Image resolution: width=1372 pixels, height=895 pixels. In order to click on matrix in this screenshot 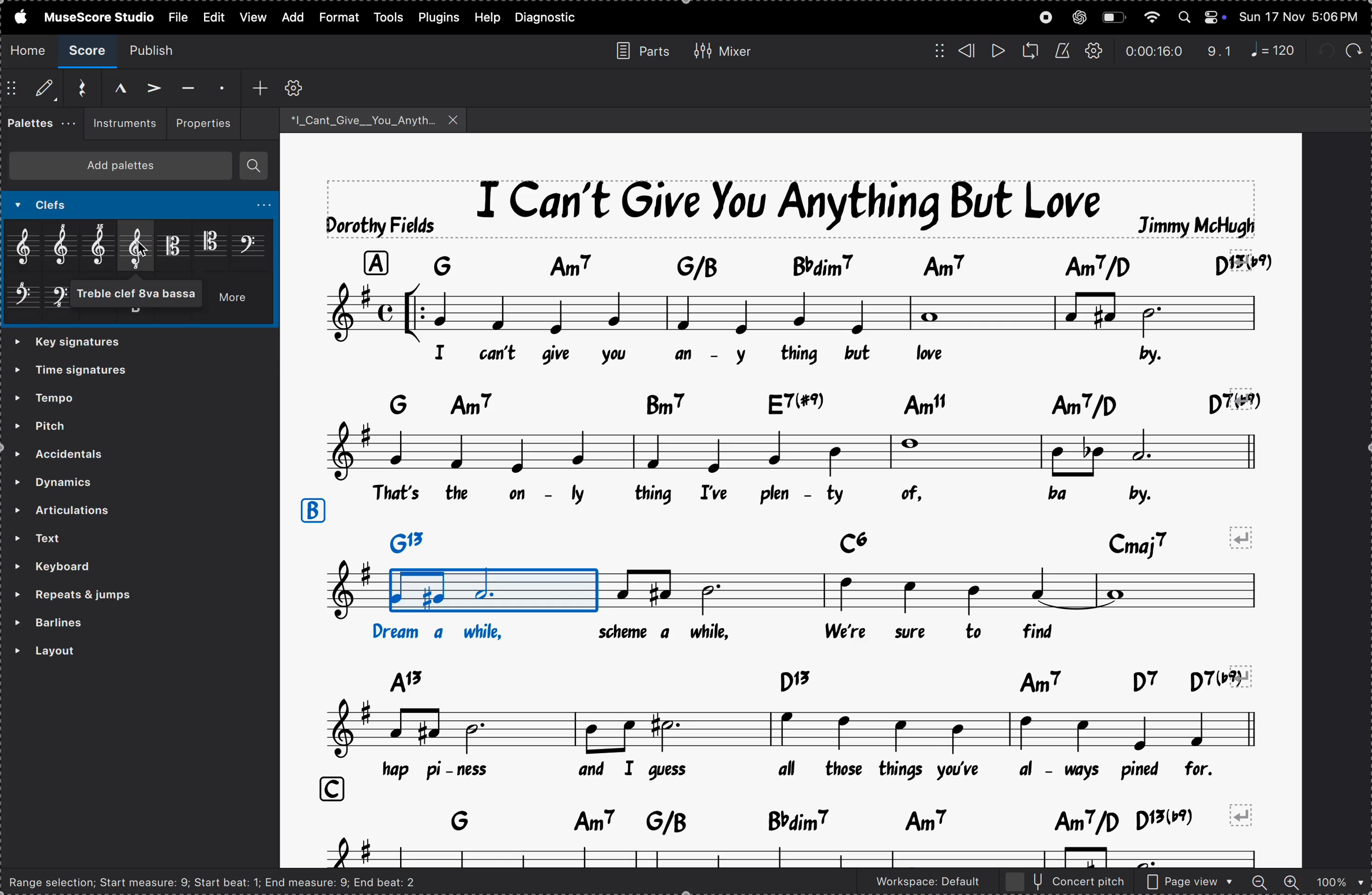, I will do `click(934, 50)`.